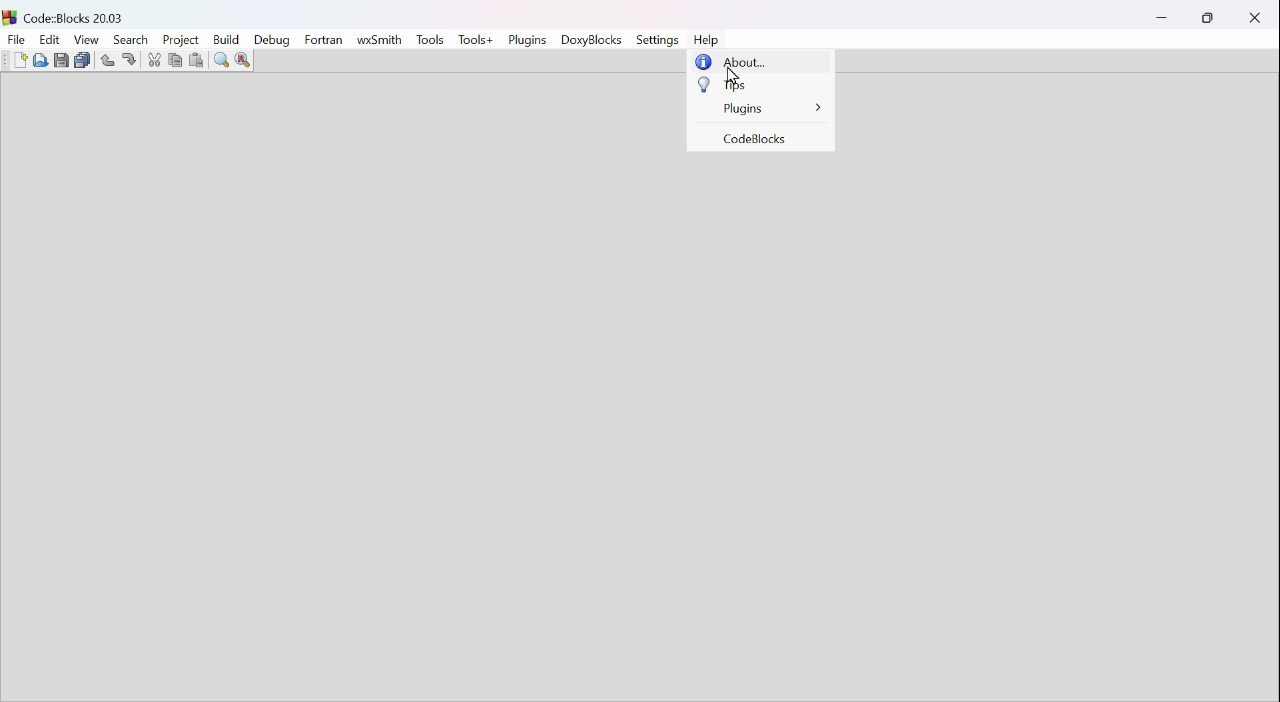 This screenshot has height=702, width=1280. I want to click on Plugins, so click(770, 106).